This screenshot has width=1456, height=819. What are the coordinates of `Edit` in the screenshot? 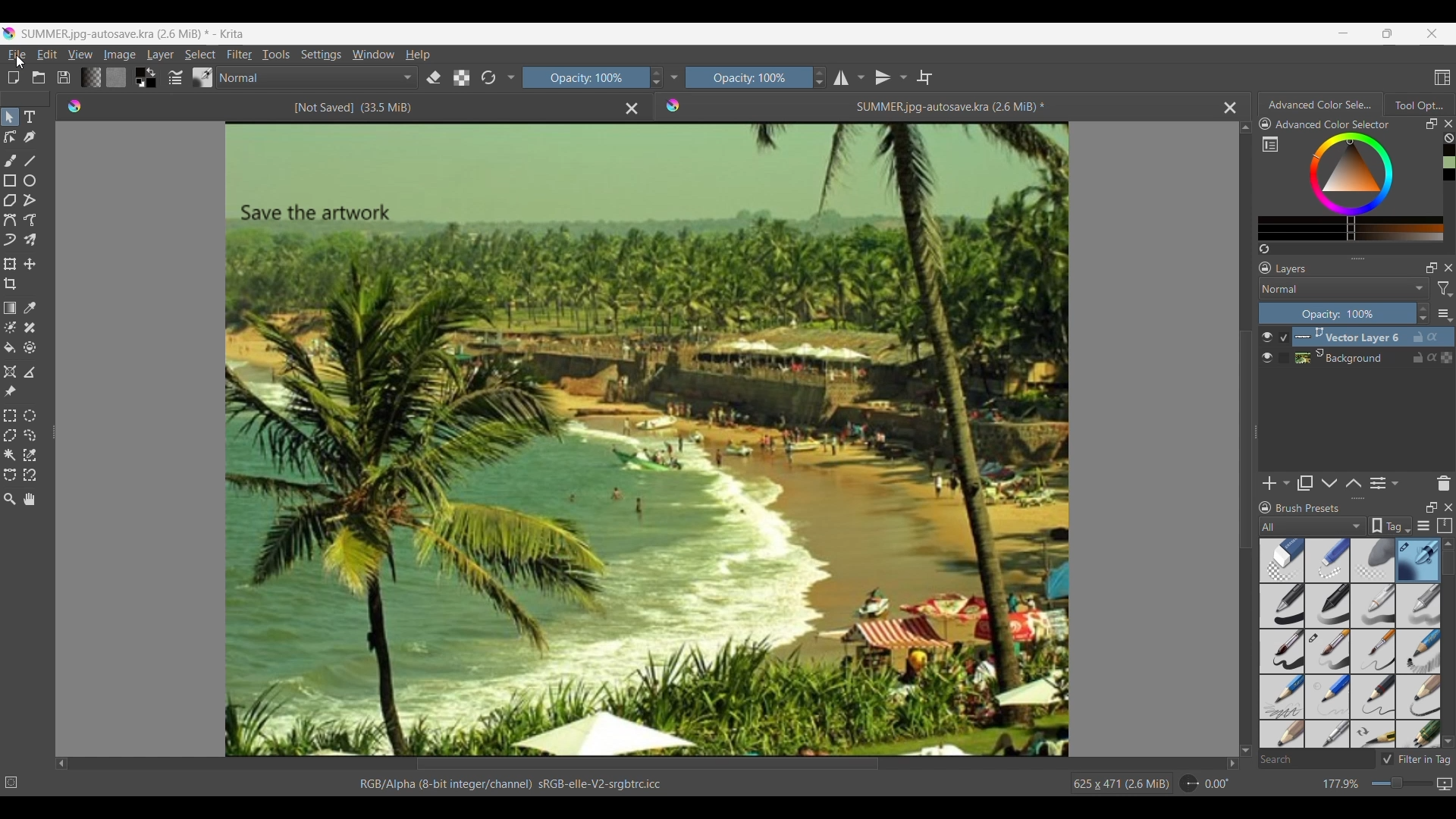 It's located at (47, 54).